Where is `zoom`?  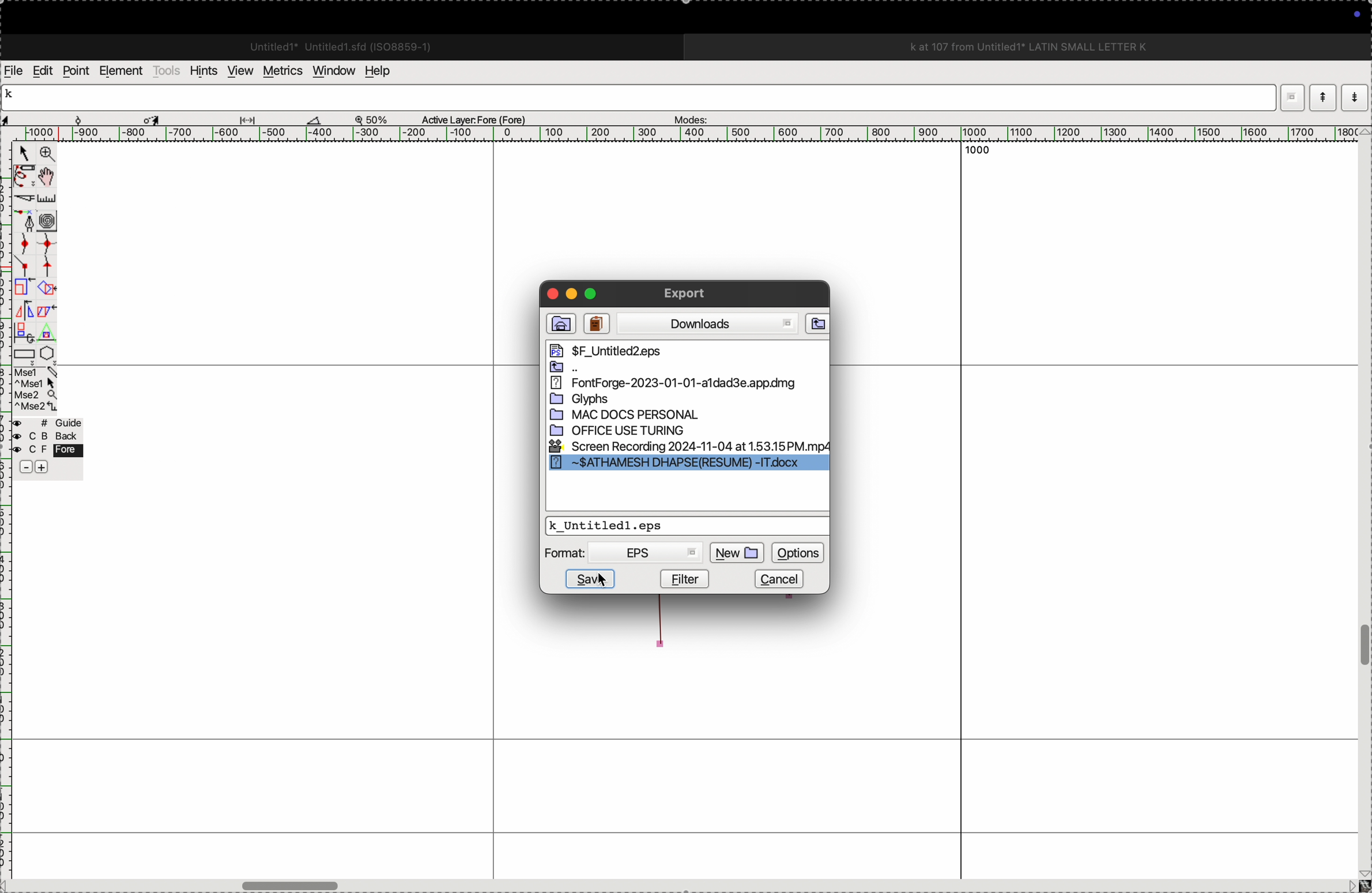
zoom is located at coordinates (45, 155).